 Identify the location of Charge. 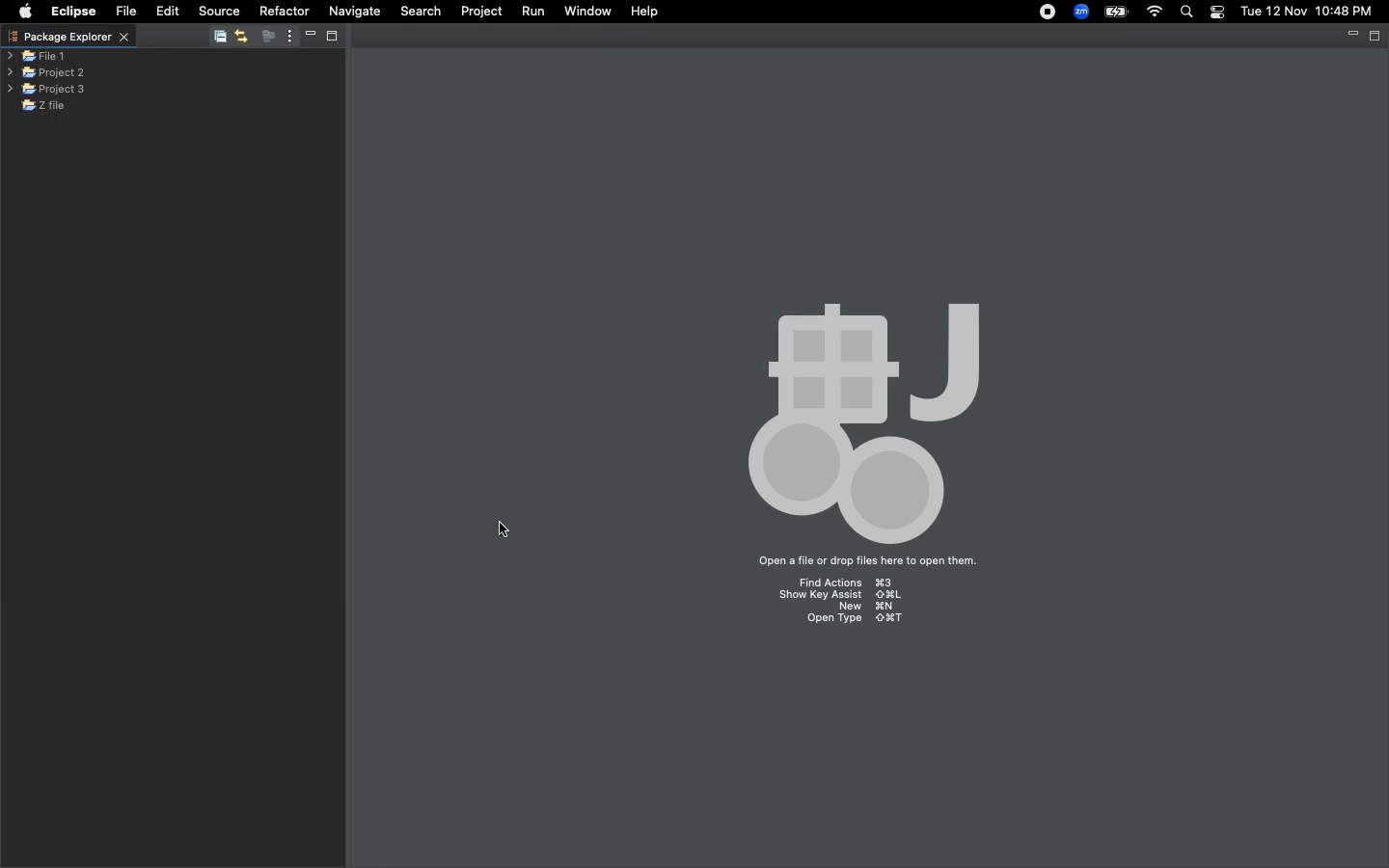
(1119, 11).